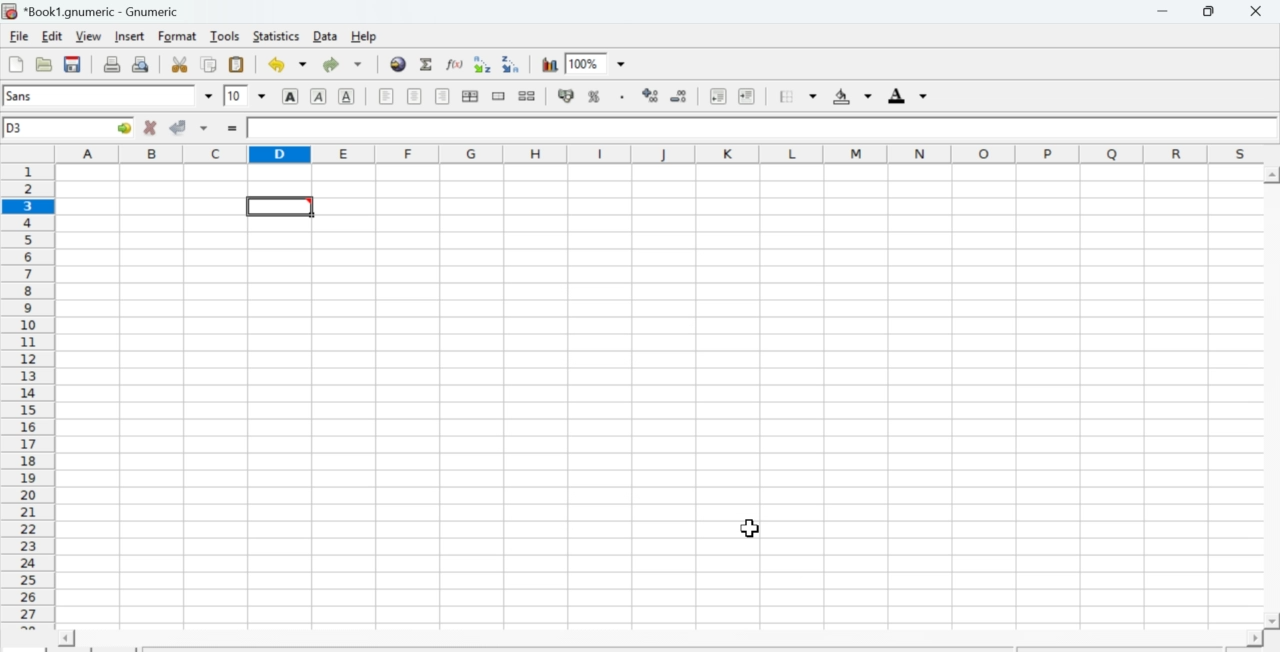  What do you see at coordinates (470, 97) in the screenshot?
I see `Center horizontally` at bounding box center [470, 97].